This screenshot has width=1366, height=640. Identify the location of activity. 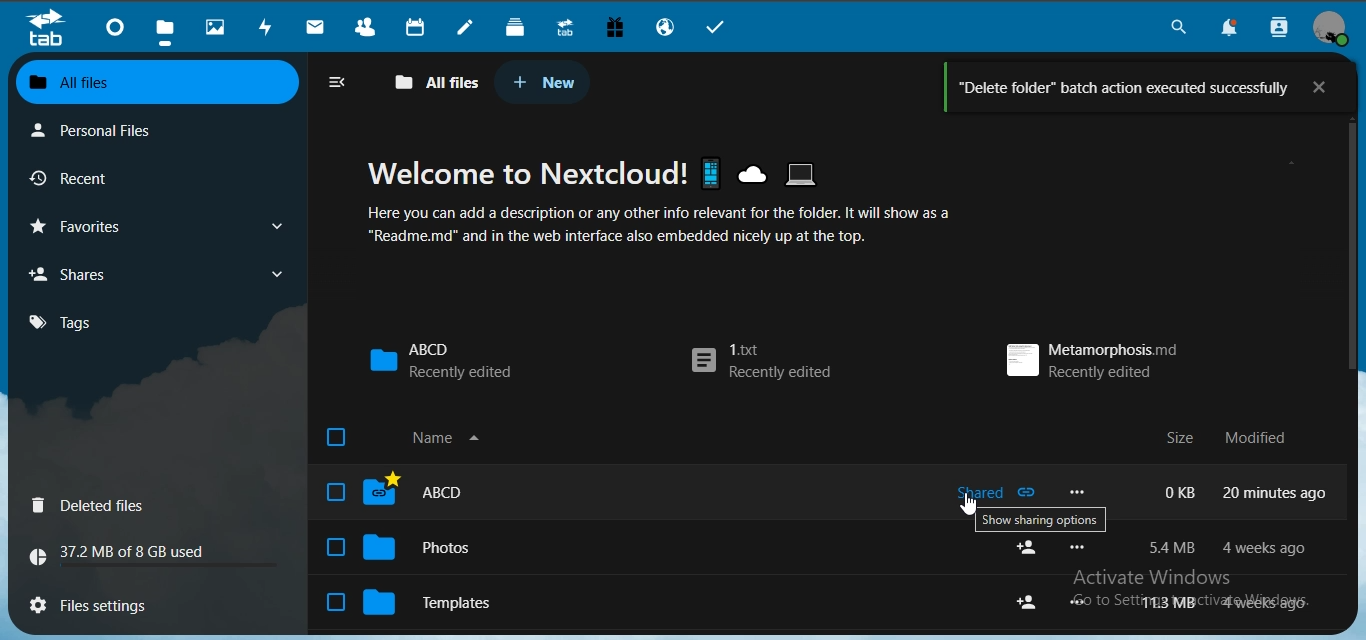
(270, 27).